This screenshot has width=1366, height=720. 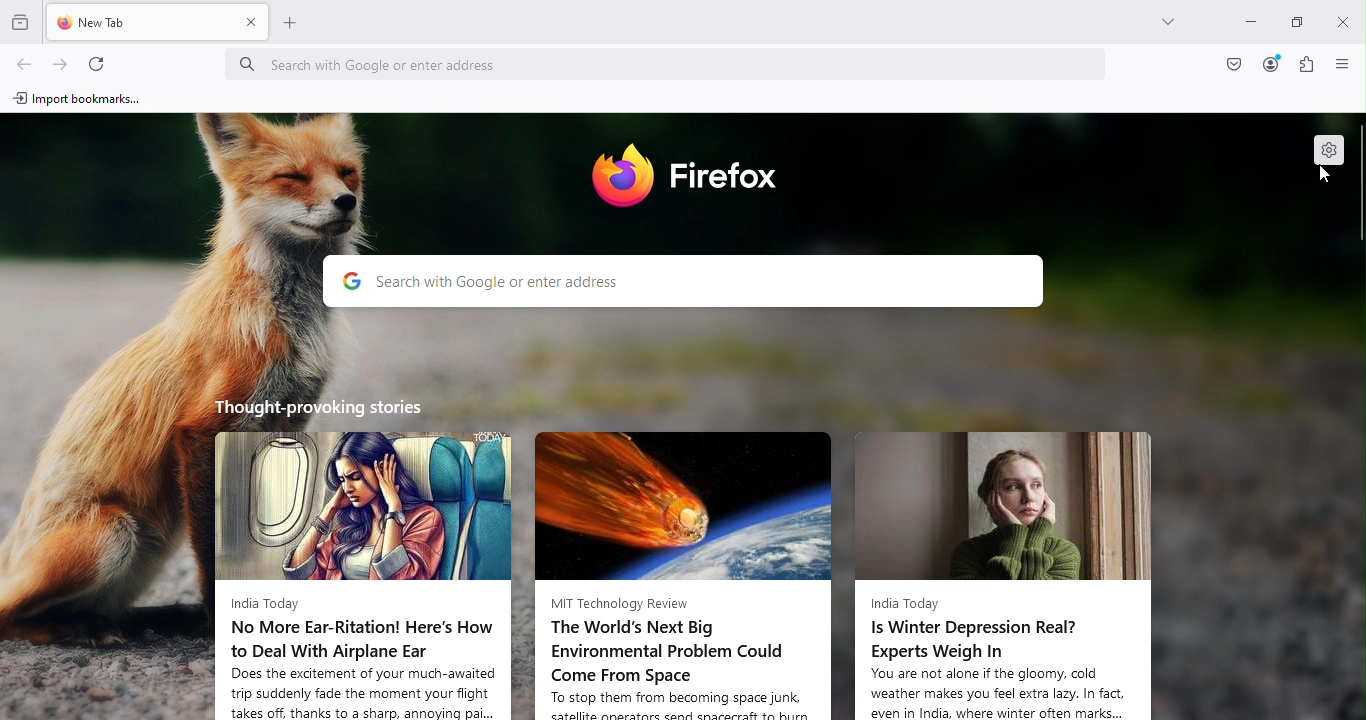 What do you see at coordinates (1003, 566) in the screenshot?
I see `New articles` at bounding box center [1003, 566].